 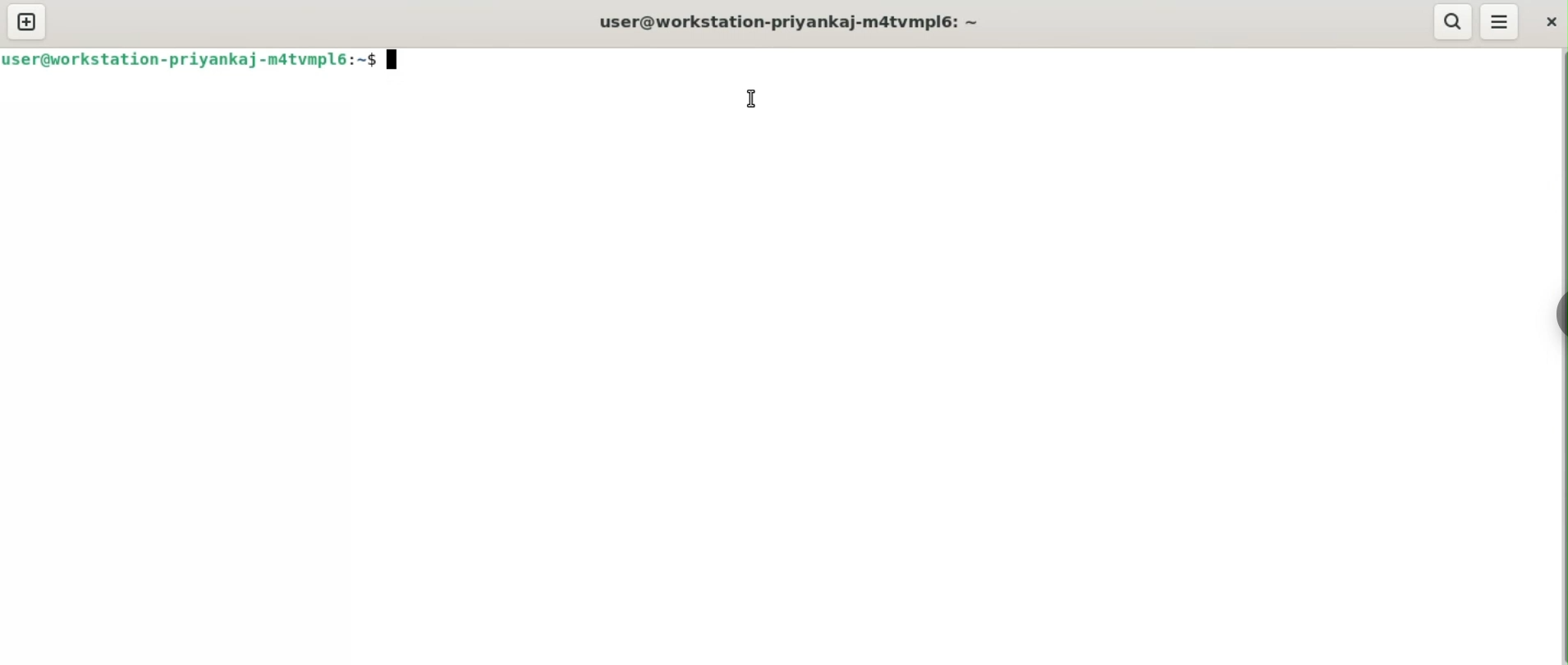 I want to click on user@workstation-priyankaj-m4tvmpl6:~, so click(x=789, y=21).